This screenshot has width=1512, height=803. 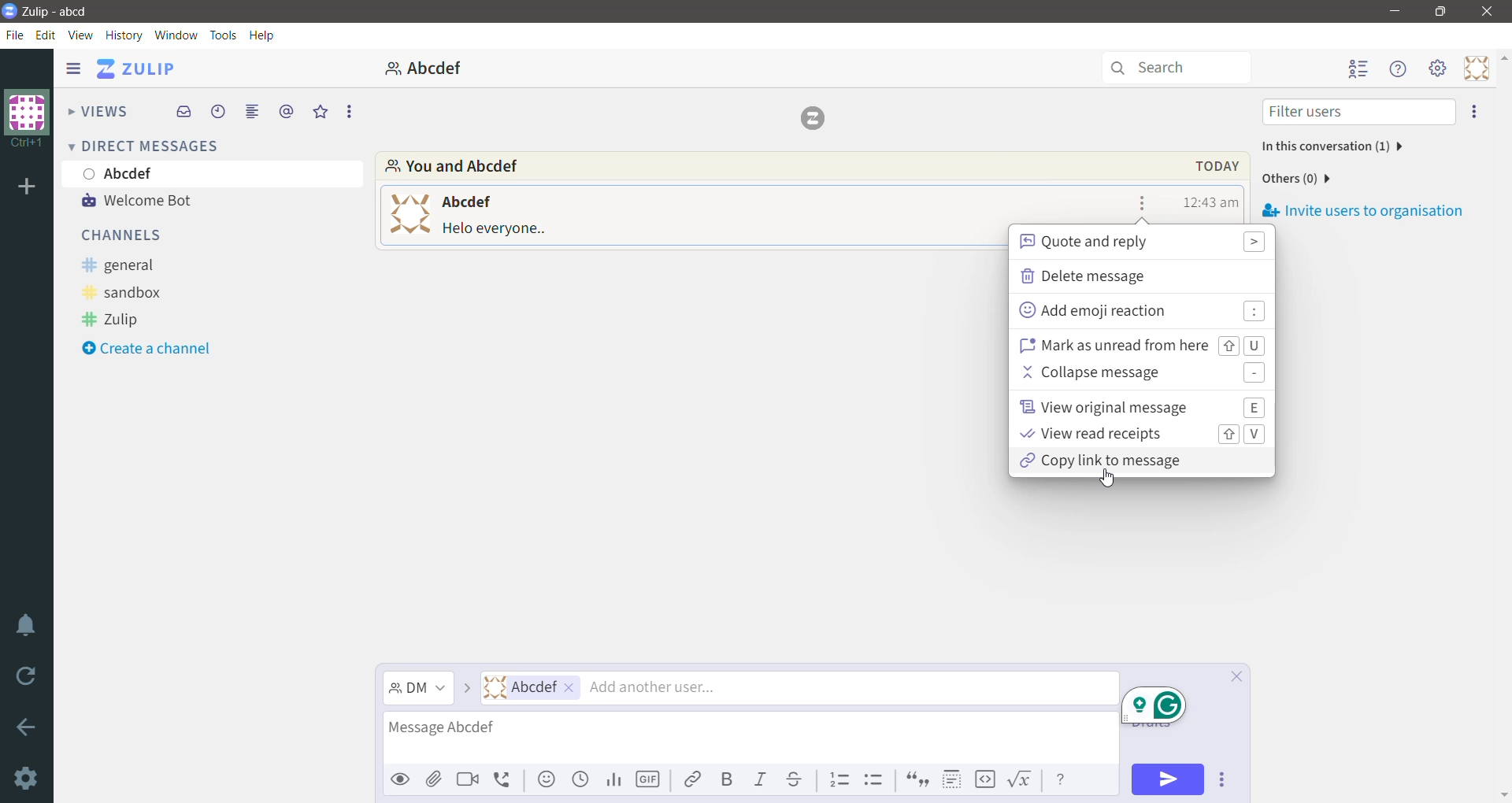 I want to click on Hide user list, so click(x=1359, y=69).